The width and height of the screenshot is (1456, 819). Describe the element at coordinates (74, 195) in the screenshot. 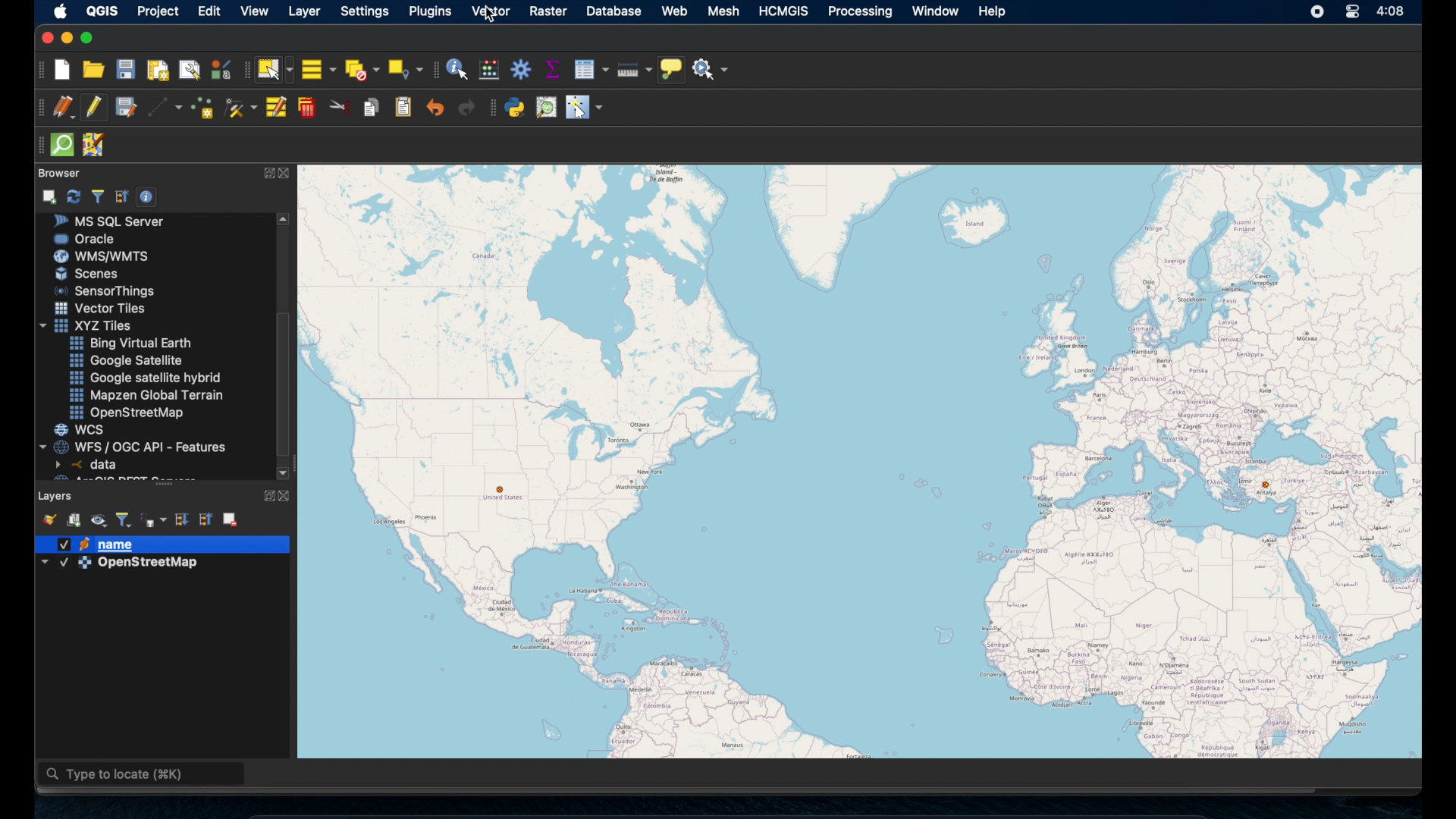

I see `refresh` at that location.